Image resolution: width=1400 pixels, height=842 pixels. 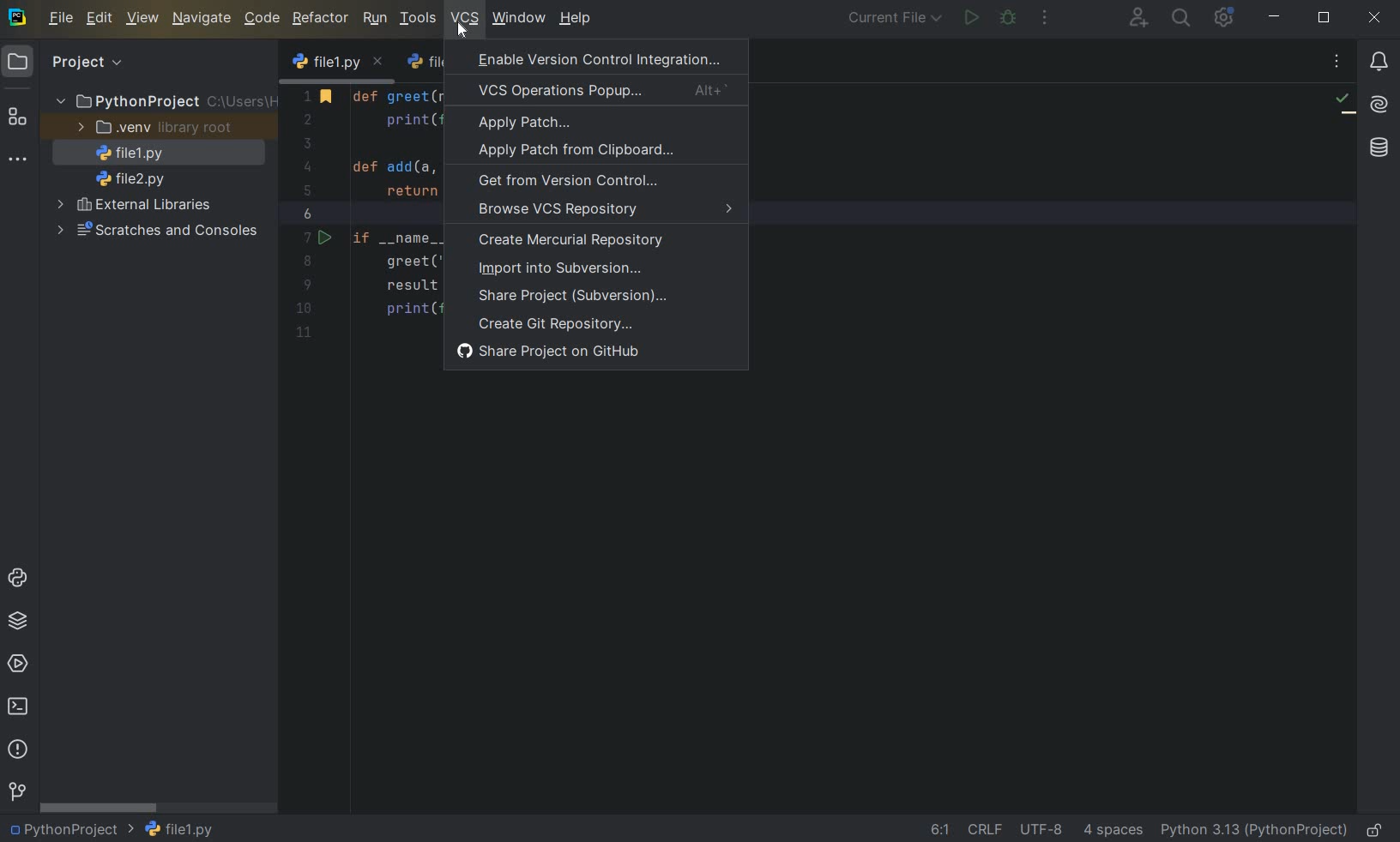 What do you see at coordinates (135, 207) in the screenshot?
I see `external libraries` at bounding box center [135, 207].